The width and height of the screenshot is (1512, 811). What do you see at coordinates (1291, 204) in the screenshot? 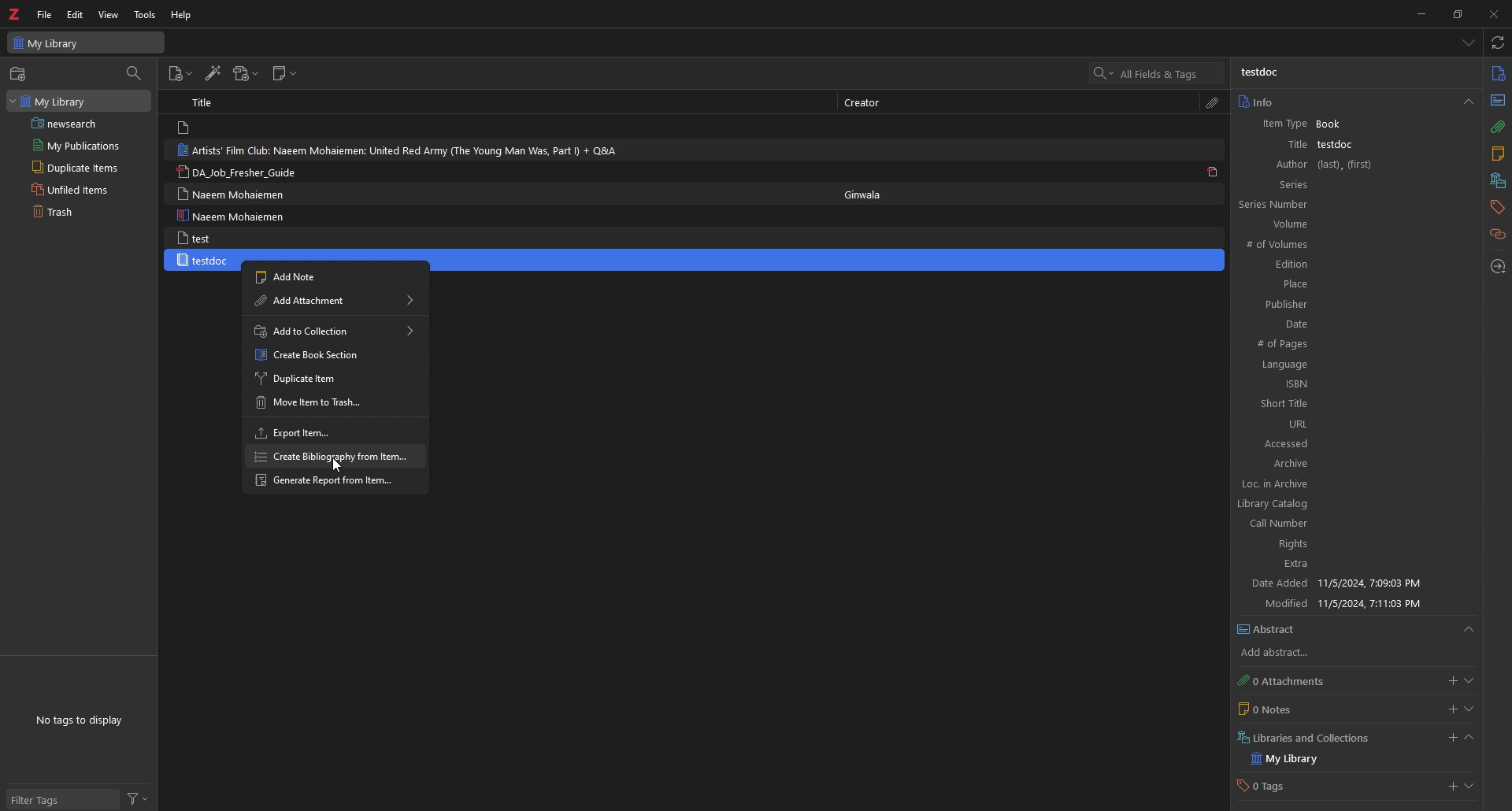
I see `series number` at bounding box center [1291, 204].